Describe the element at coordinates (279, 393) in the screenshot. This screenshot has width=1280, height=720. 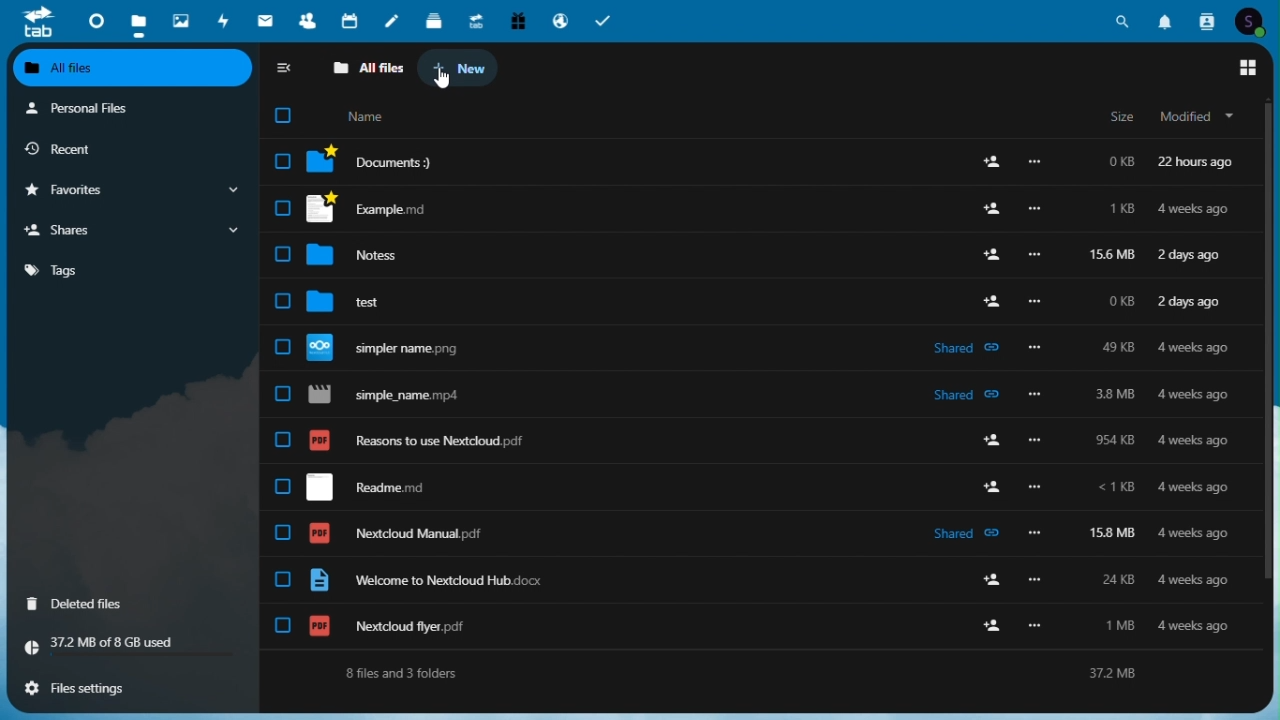
I see `check box` at that location.